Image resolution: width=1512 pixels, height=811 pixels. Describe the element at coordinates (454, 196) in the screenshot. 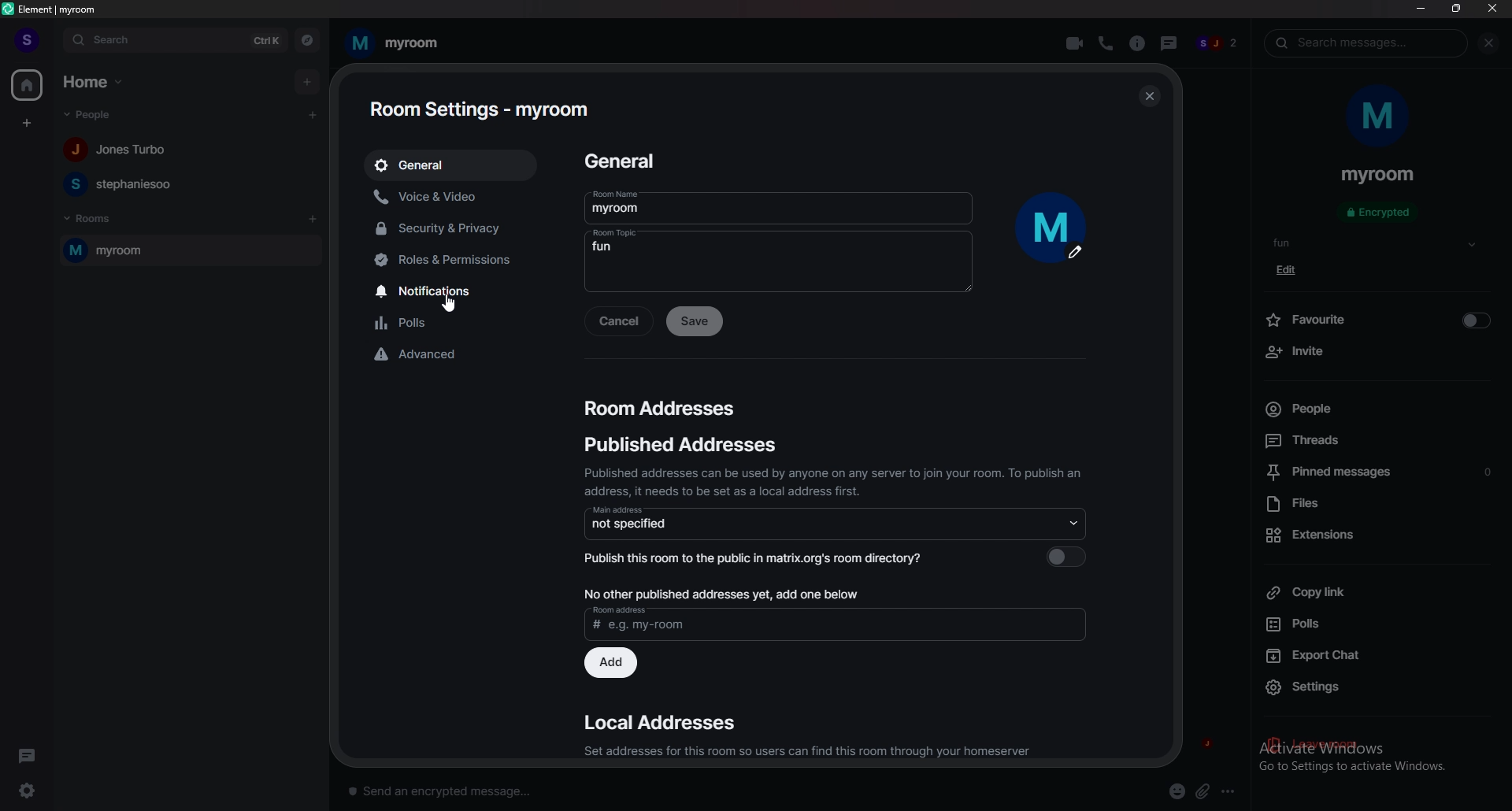

I see `voice and video` at that location.